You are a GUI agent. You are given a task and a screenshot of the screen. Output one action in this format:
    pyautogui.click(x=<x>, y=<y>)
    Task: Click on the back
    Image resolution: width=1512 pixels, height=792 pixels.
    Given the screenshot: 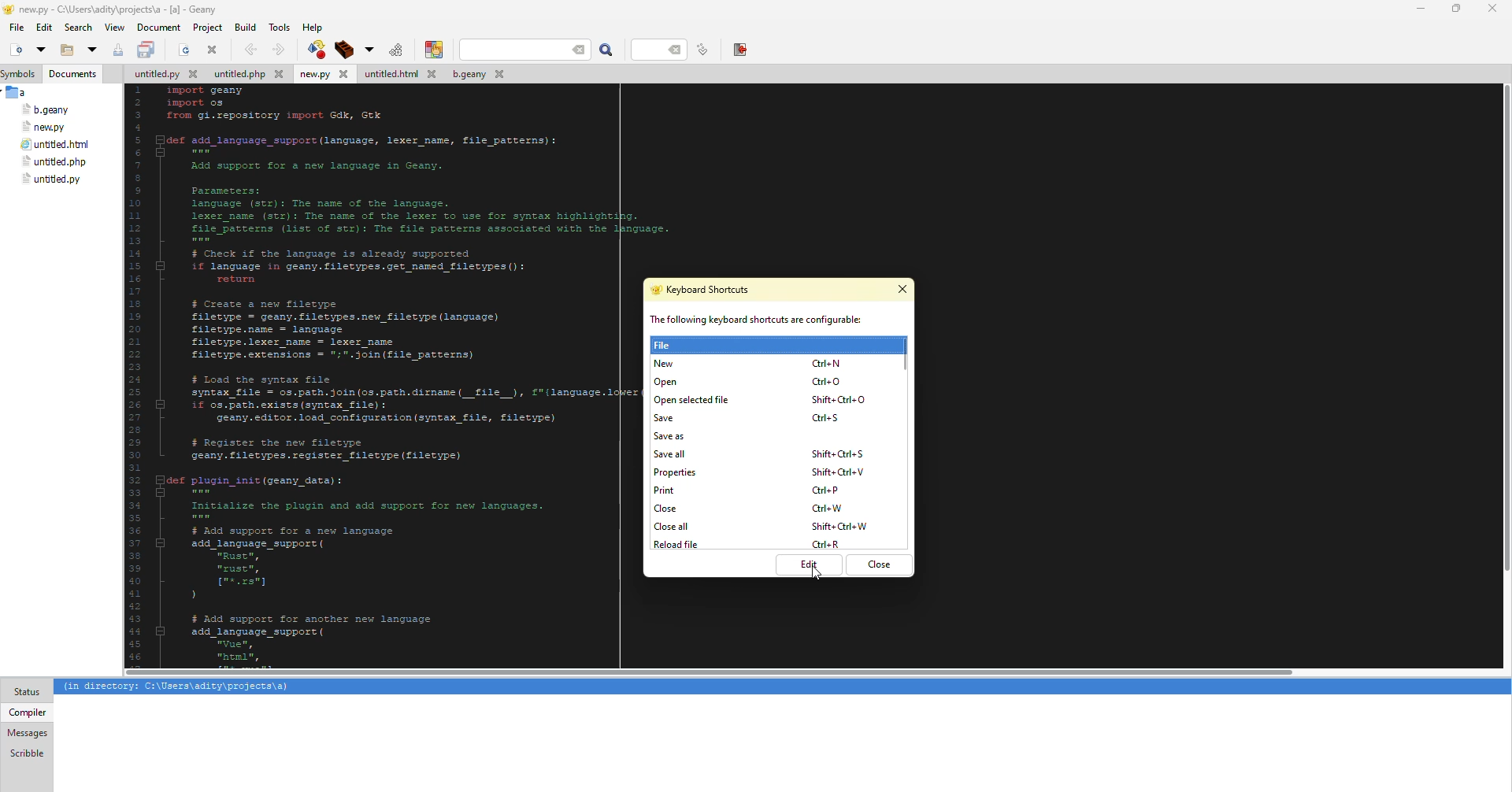 What is the action you would take?
    pyautogui.click(x=249, y=49)
    